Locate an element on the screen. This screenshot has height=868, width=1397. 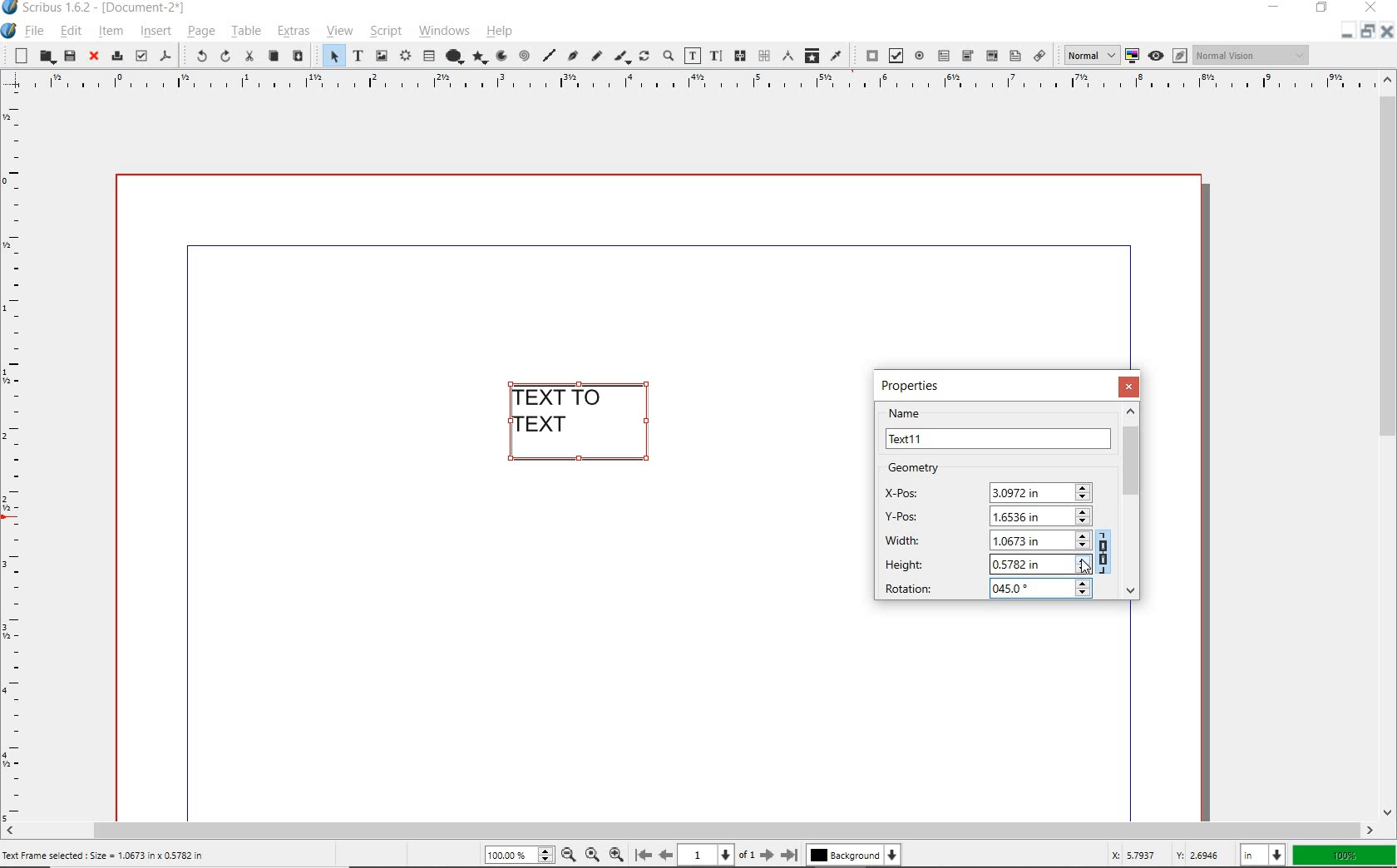
copy item properties is located at coordinates (812, 55).